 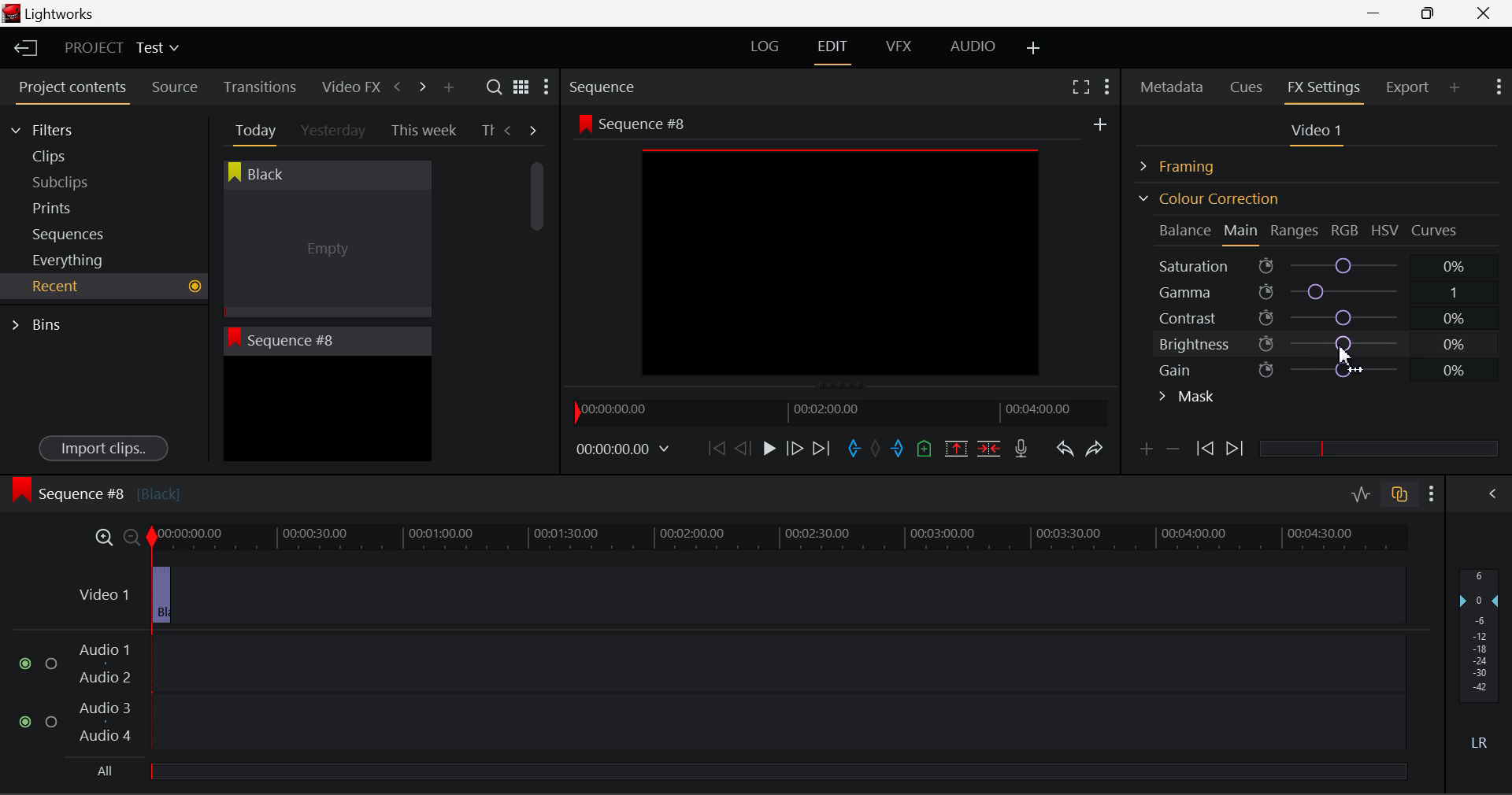 I want to click on slider, so click(x=1378, y=448).